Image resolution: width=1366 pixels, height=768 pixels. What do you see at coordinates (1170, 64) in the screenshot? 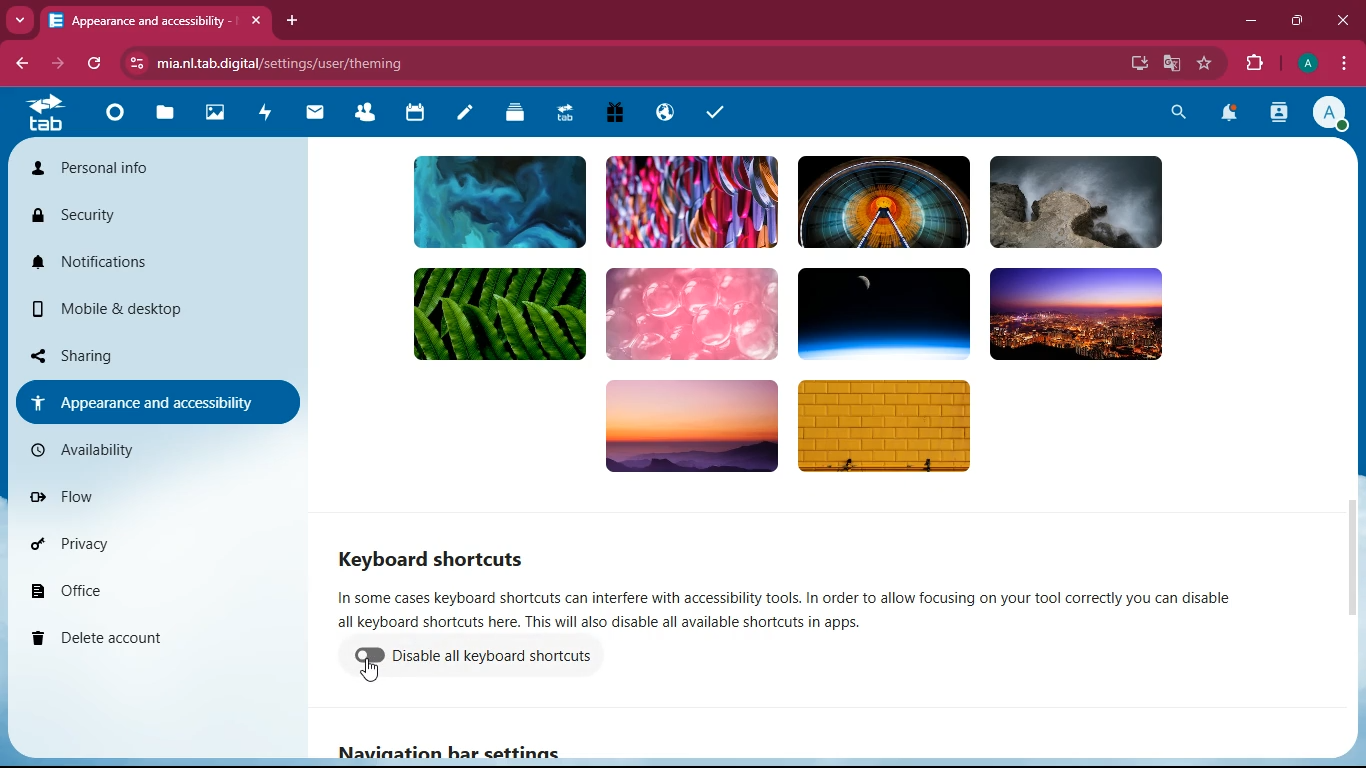
I see `google translate` at bounding box center [1170, 64].